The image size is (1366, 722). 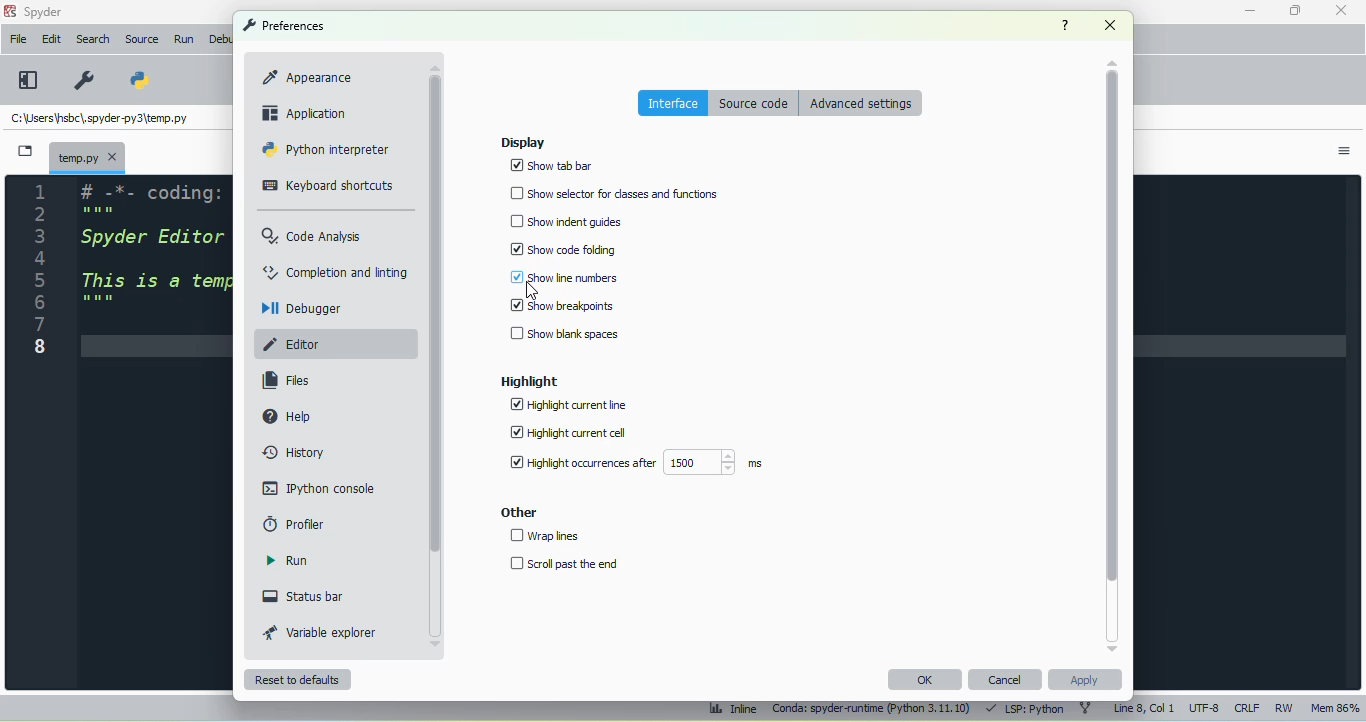 I want to click on vertical scroll bar, so click(x=1113, y=328).